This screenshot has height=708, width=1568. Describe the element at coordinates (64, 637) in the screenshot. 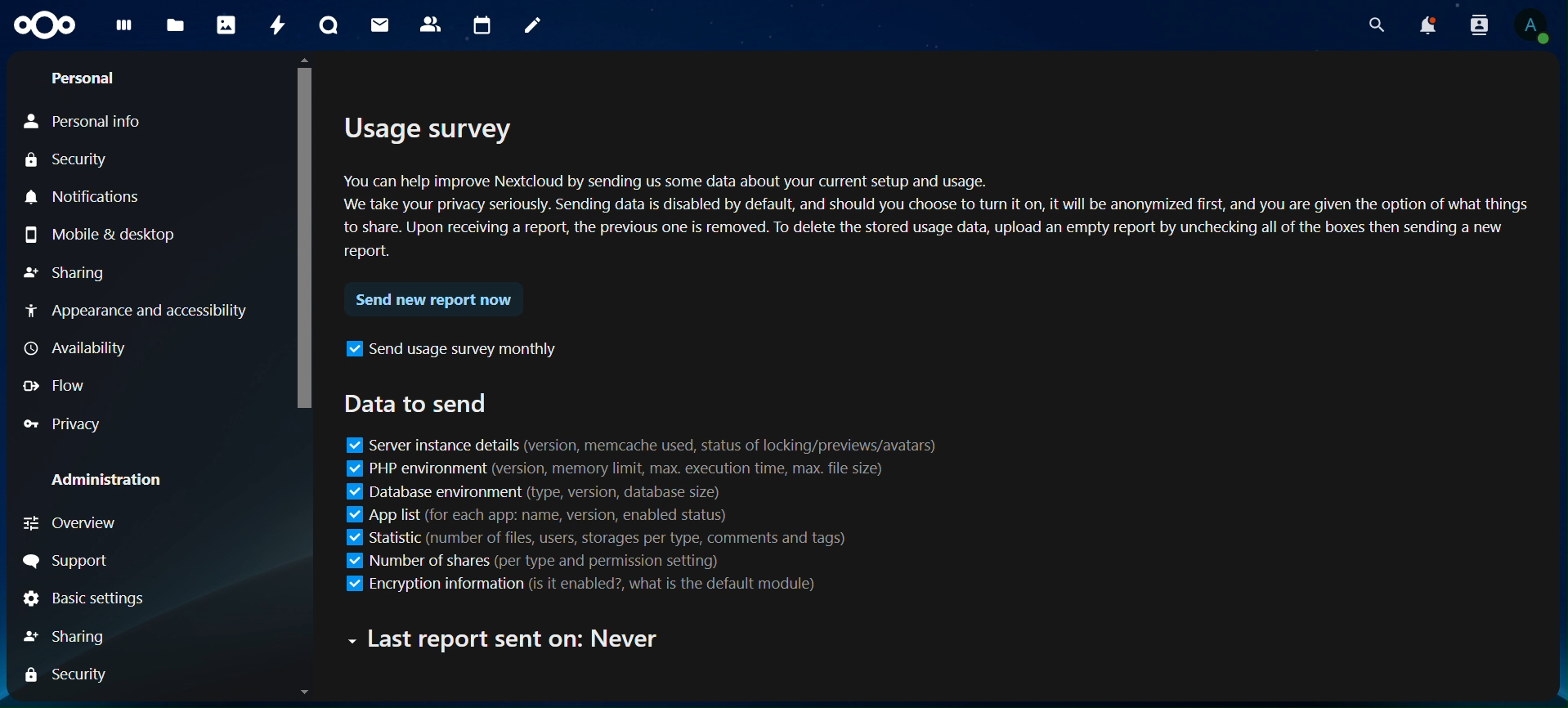

I see `Sharing` at that location.